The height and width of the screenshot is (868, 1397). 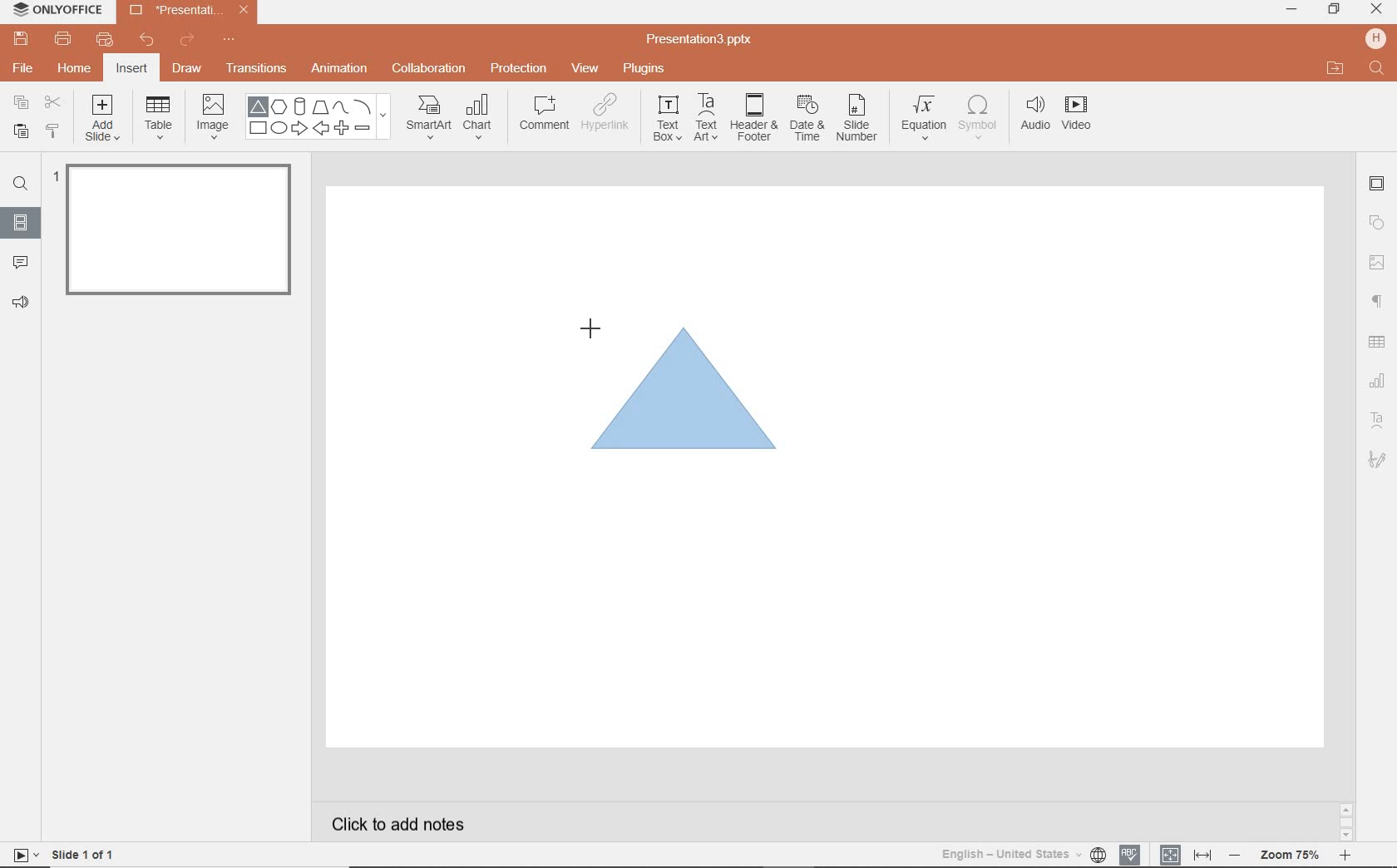 I want to click on SIGNATURE, so click(x=1380, y=458).